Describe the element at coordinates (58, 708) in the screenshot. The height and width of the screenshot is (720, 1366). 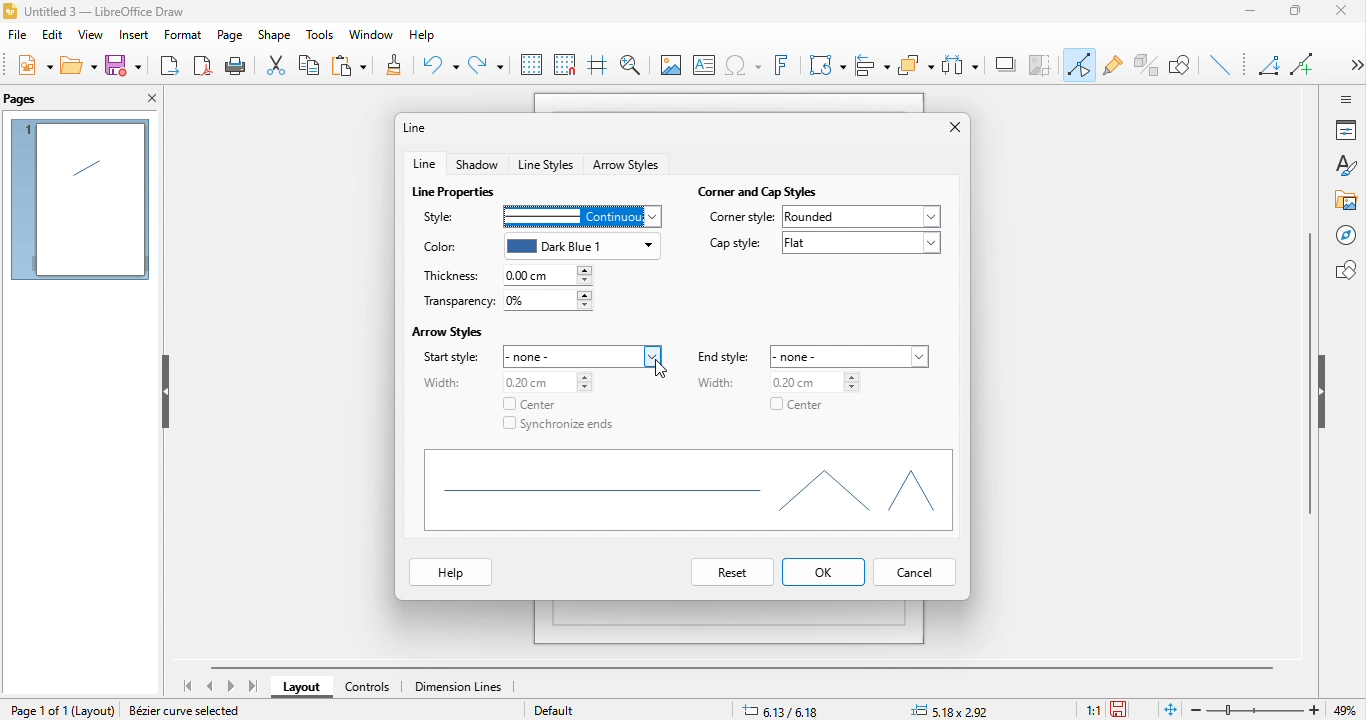
I see `page 1 of 1 (Layout)` at that location.